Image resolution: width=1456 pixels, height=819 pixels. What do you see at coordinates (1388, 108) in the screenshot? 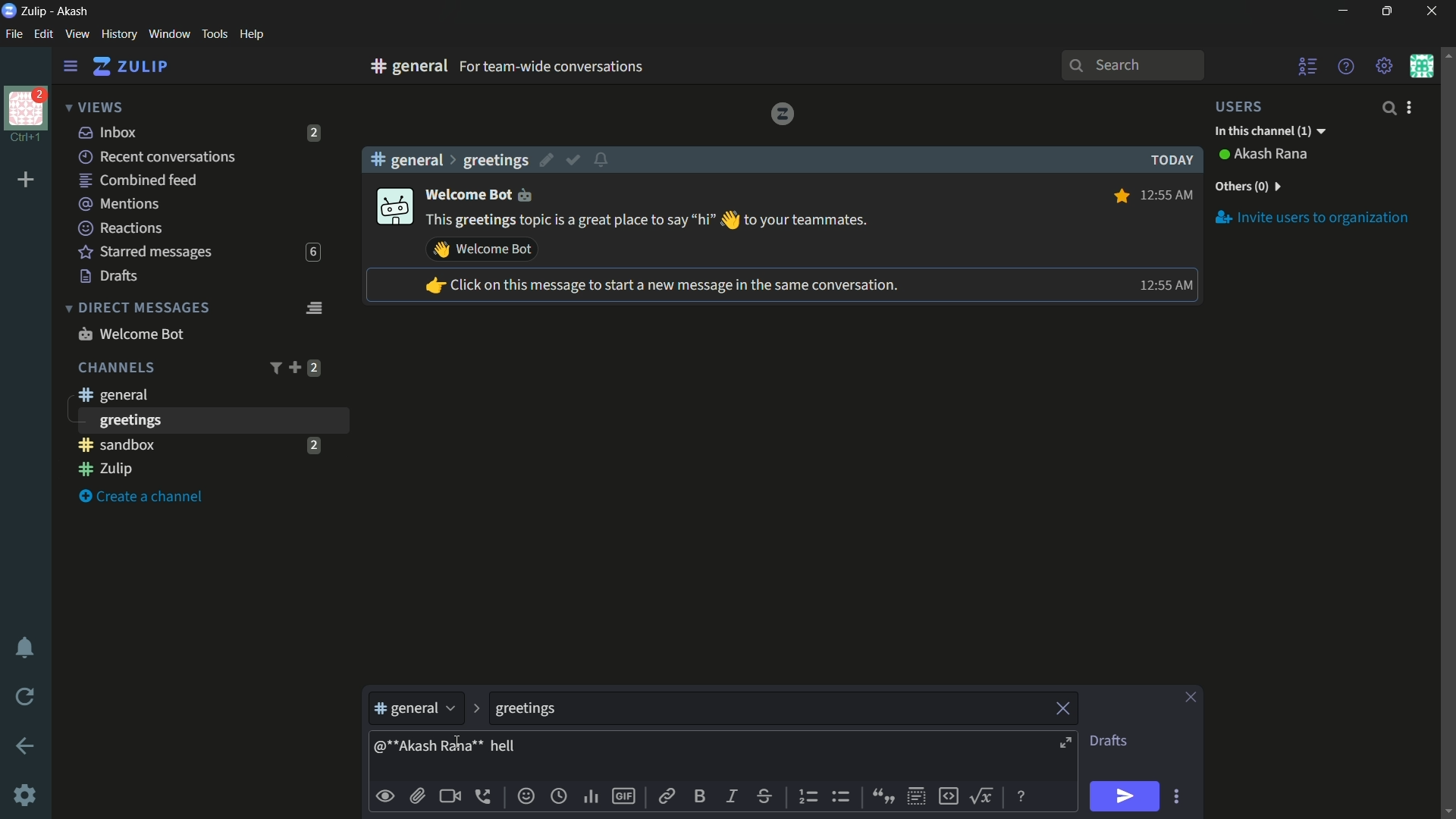
I see `search` at bounding box center [1388, 108].